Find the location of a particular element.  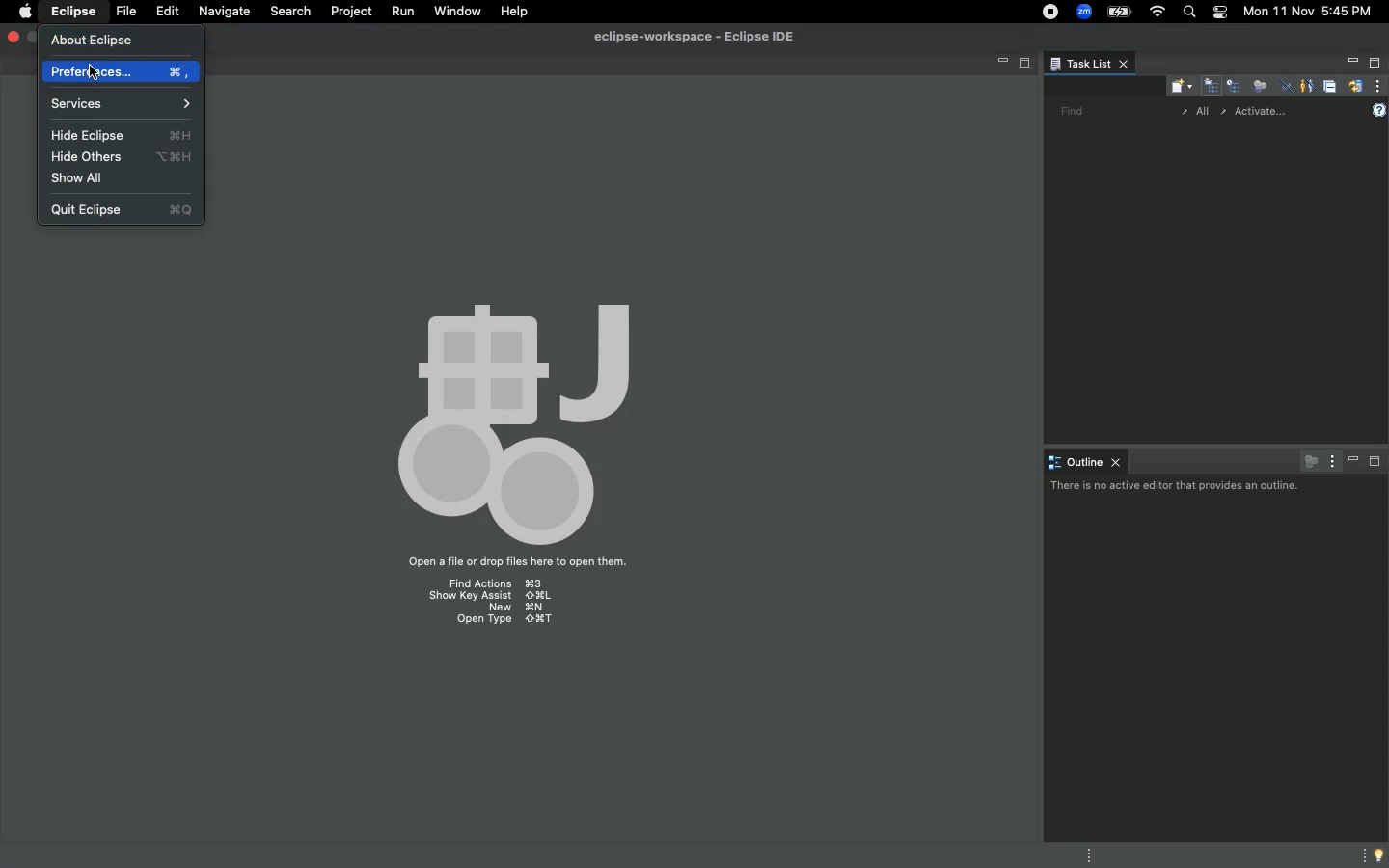

Find Actions %3
Show Key Assist OXL
Now XN
OpenType ONT is located at coordinates (489, 604).